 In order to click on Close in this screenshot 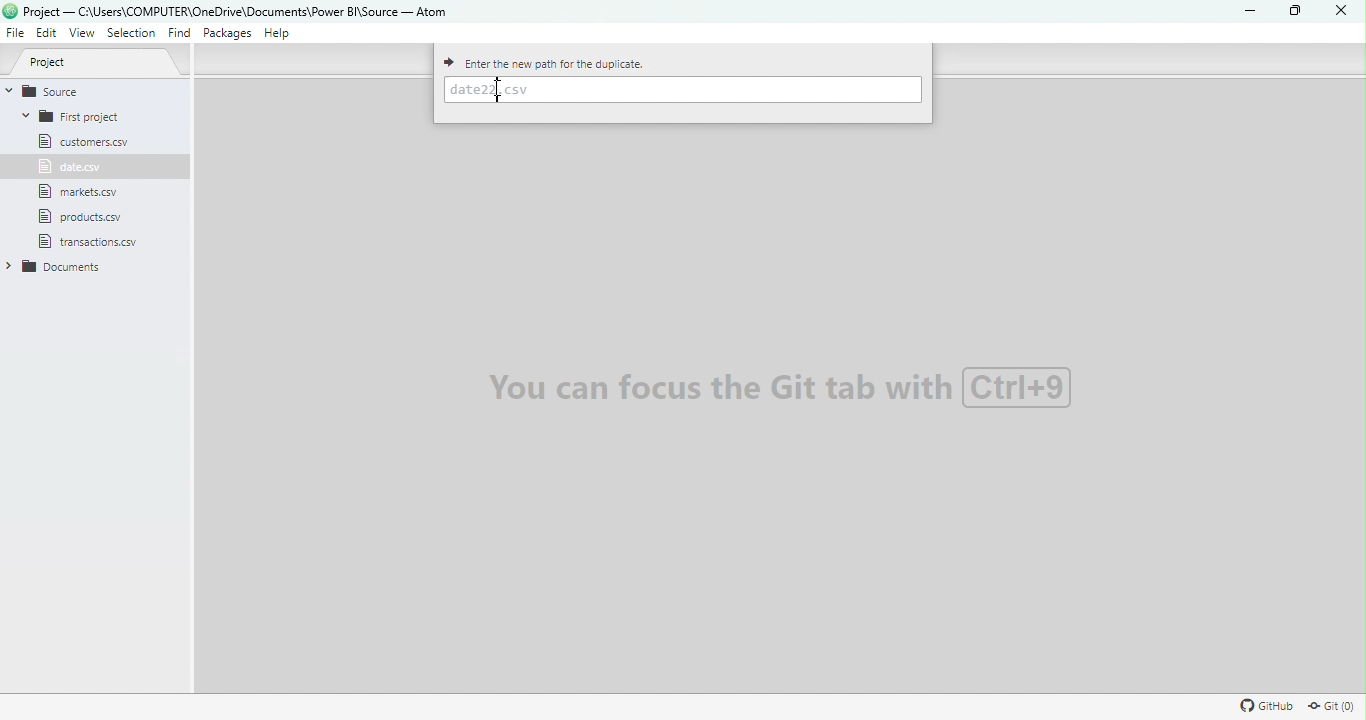, I will do `click(1336, 11)`.